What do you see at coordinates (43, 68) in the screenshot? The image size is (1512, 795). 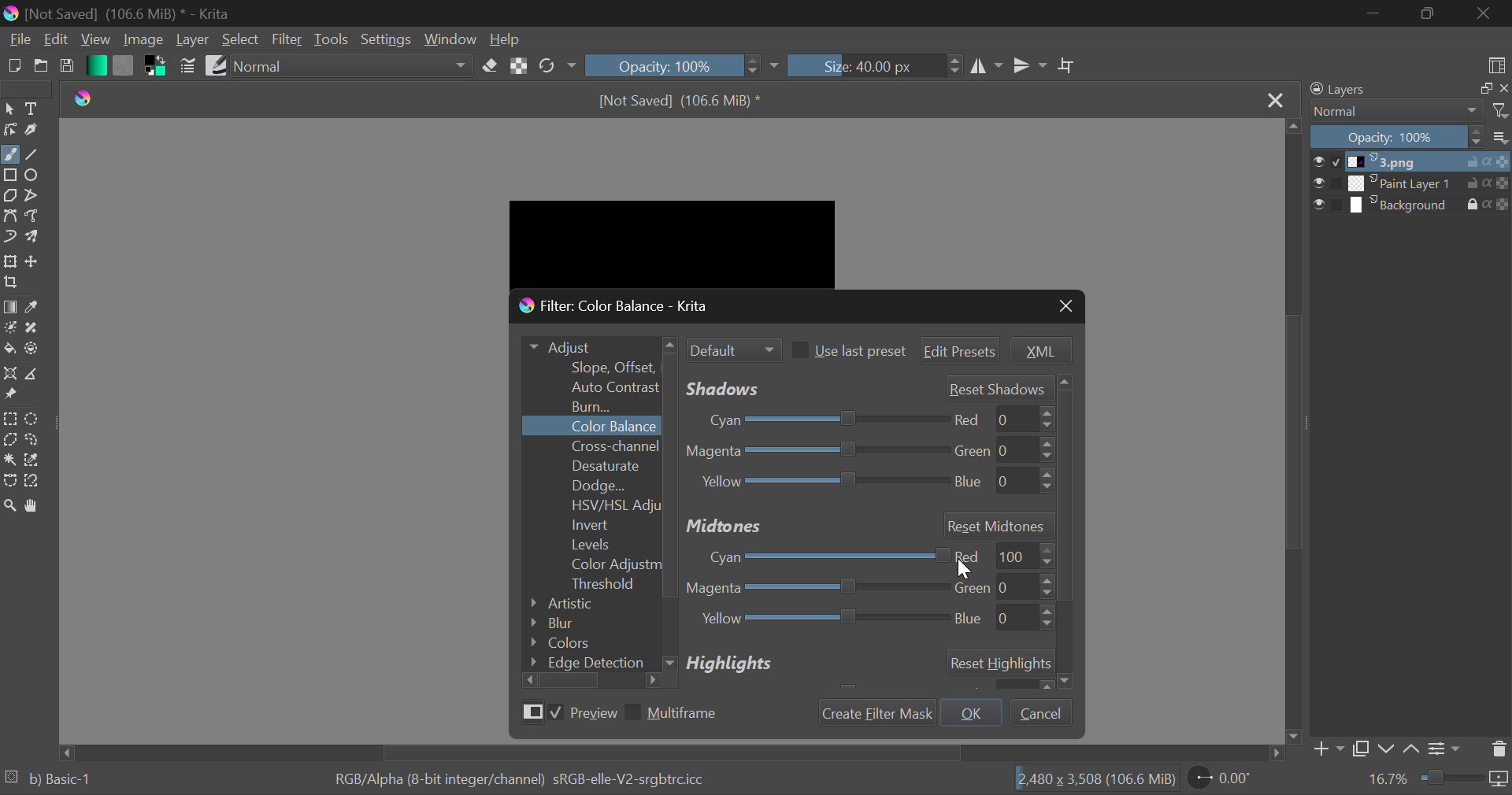 I see `Open` at bounding box center [43, 68].